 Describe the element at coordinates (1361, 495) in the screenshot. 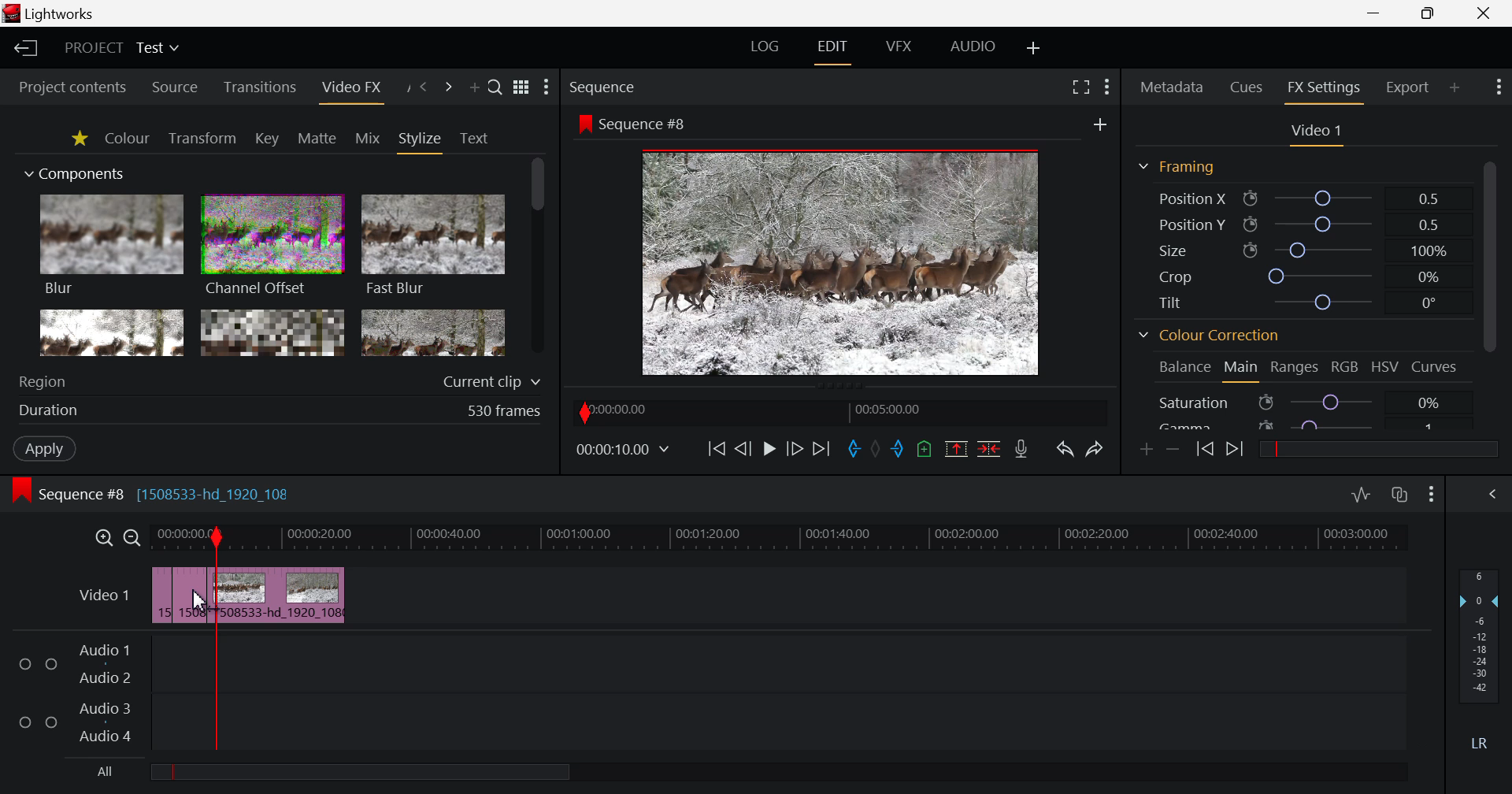

I see `Toggle audio levels editing` at that location.